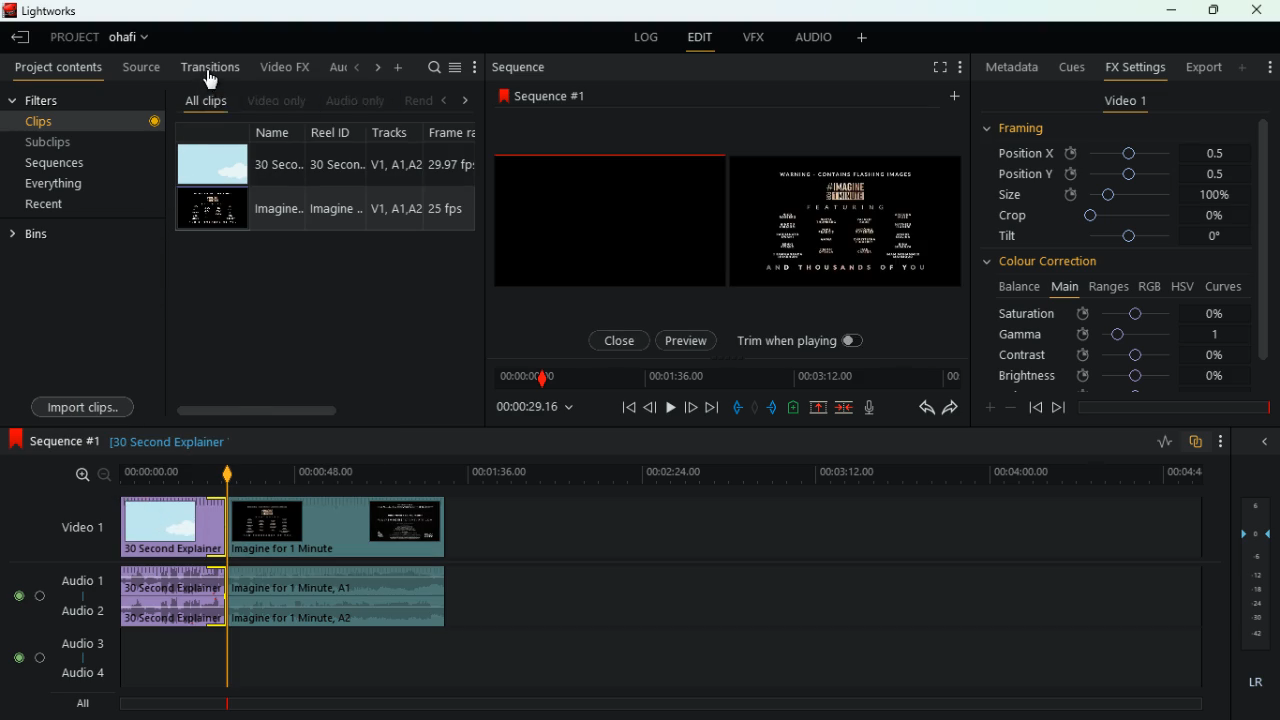  What do you see at coordinates (342, 527) in the screenshot?
I see `video` at bounding box center [342, 527].